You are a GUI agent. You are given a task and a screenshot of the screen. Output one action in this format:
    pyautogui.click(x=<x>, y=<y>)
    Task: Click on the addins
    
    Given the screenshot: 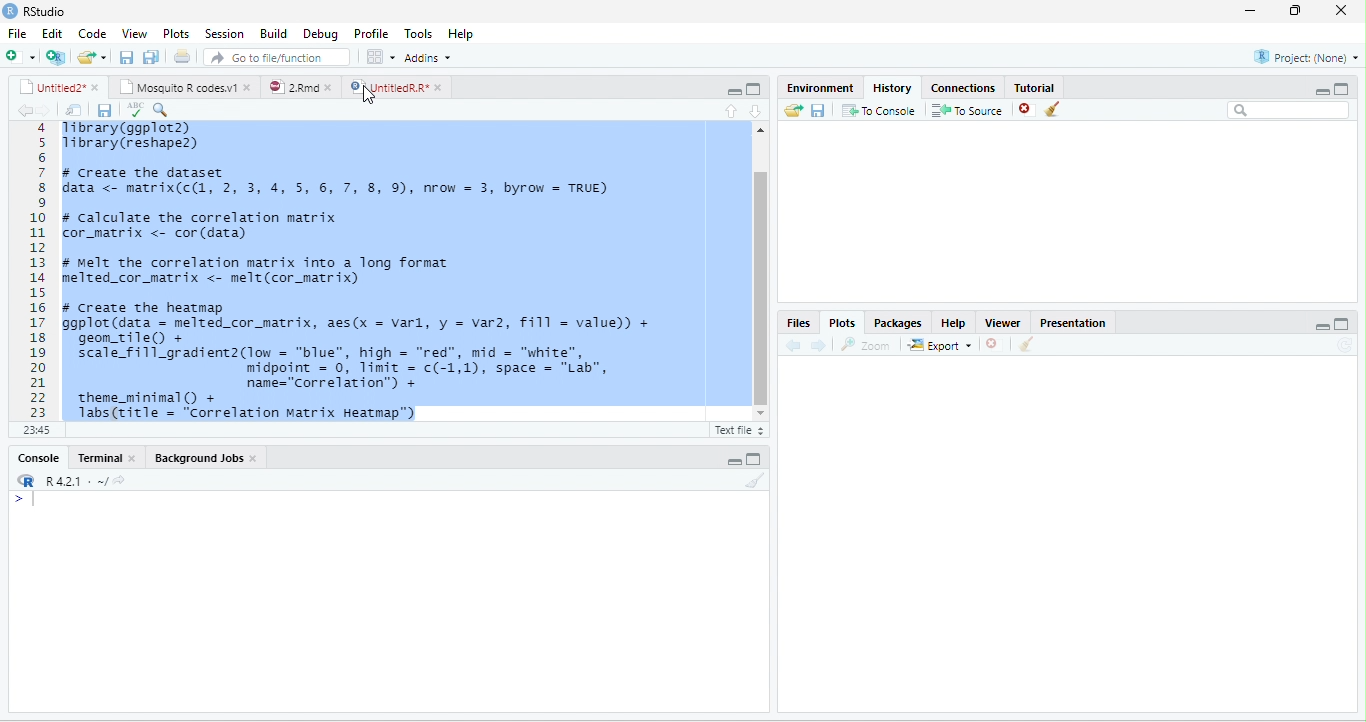 What is the action you would take?
    pyautogui.click(x=432, y=57)
    